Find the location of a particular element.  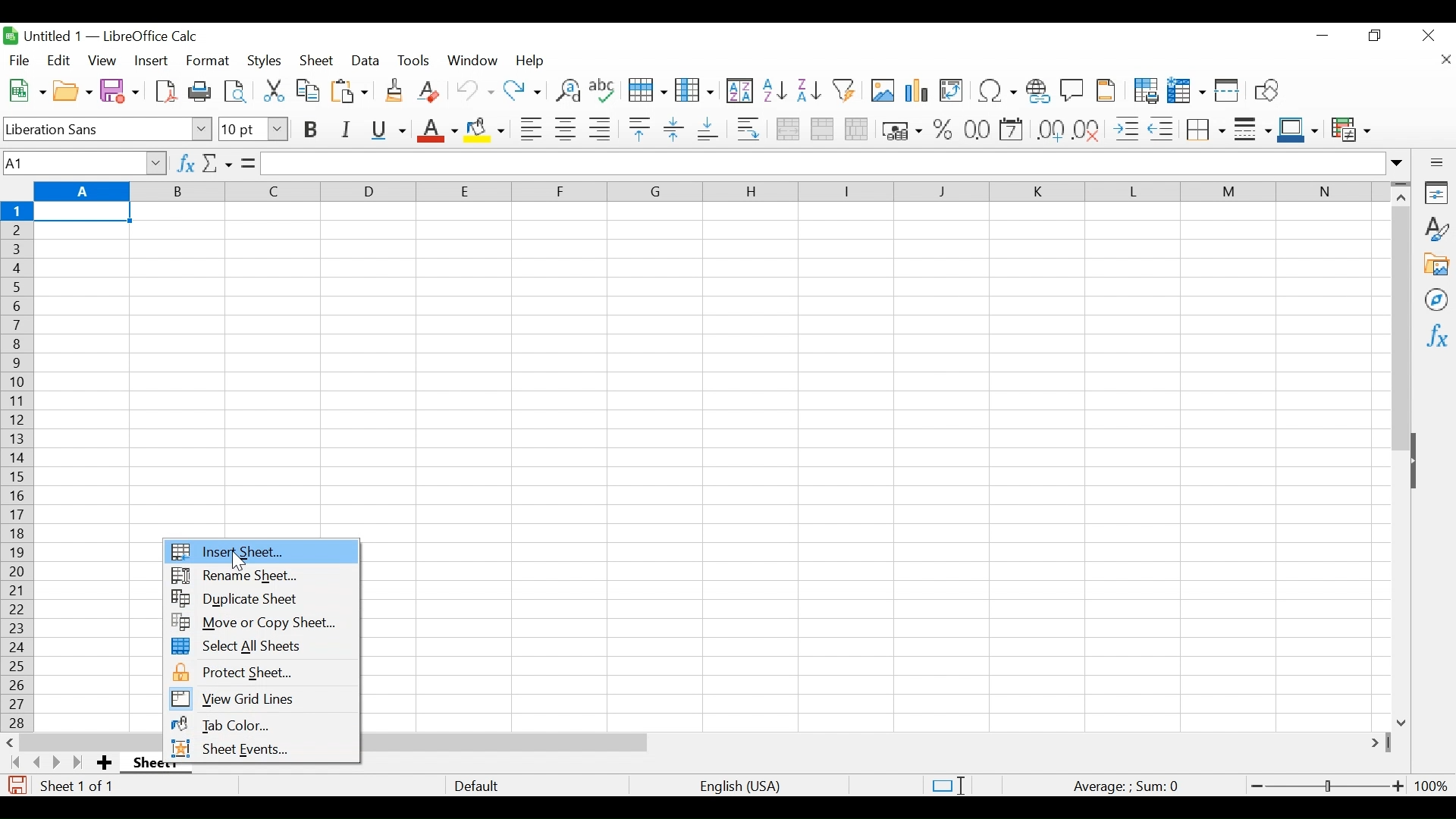

Show/Hide Pane is located at coordinates (1421, 463).